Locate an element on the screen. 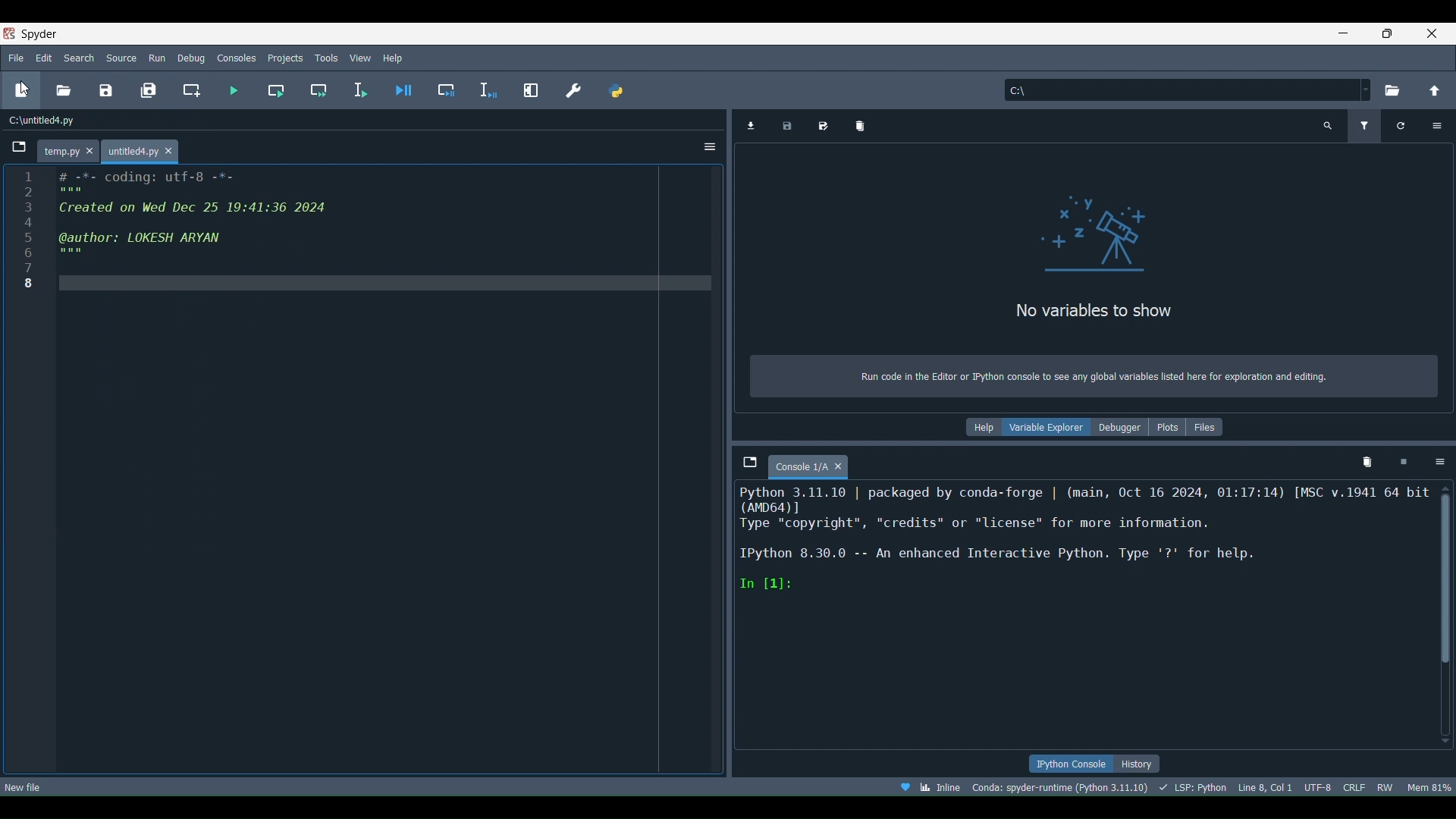 The image size is (1456, 819). Help is located at coordinates (397, 56).